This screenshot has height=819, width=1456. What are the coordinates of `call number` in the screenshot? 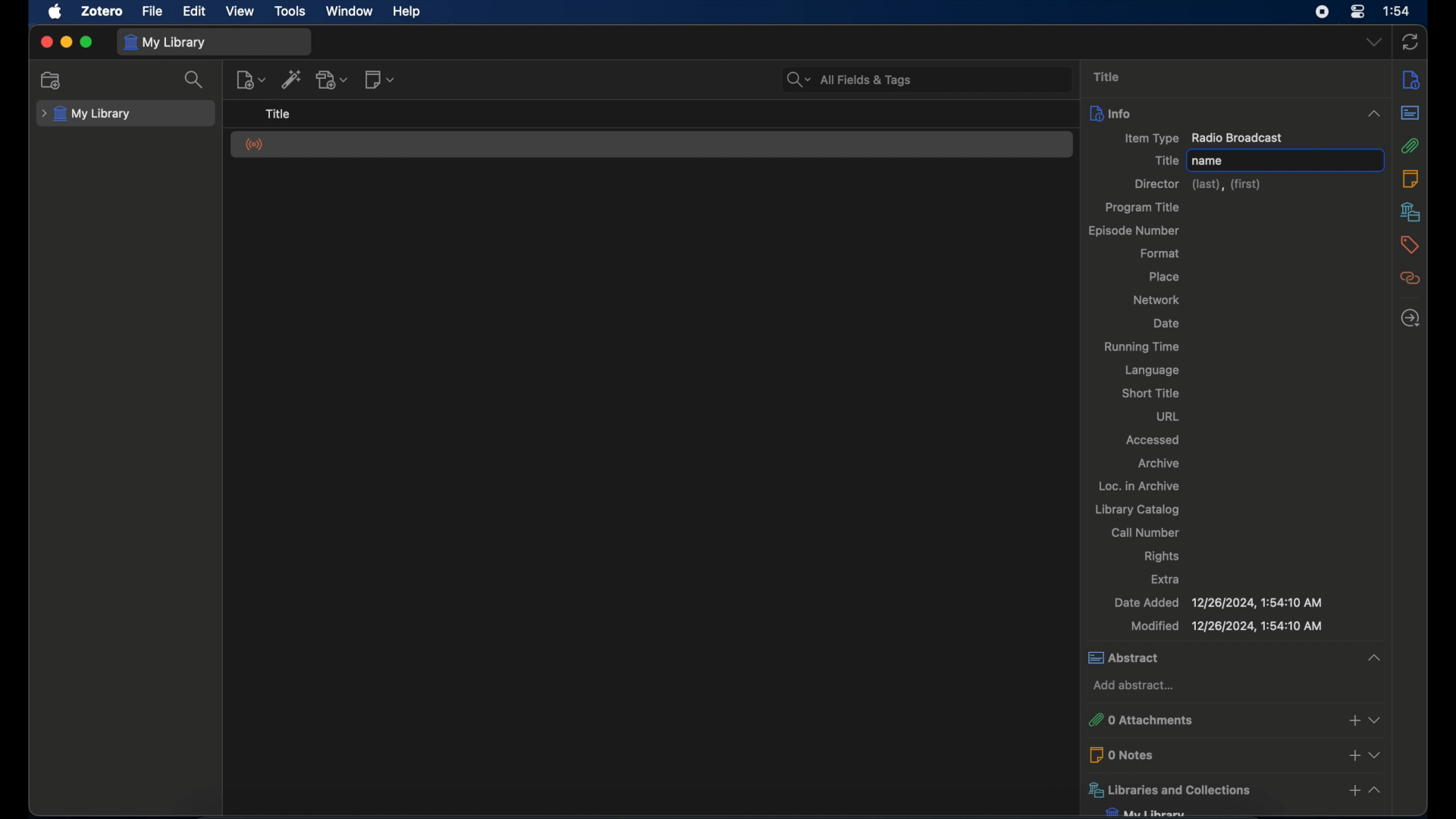 It's located at (1145, 532).